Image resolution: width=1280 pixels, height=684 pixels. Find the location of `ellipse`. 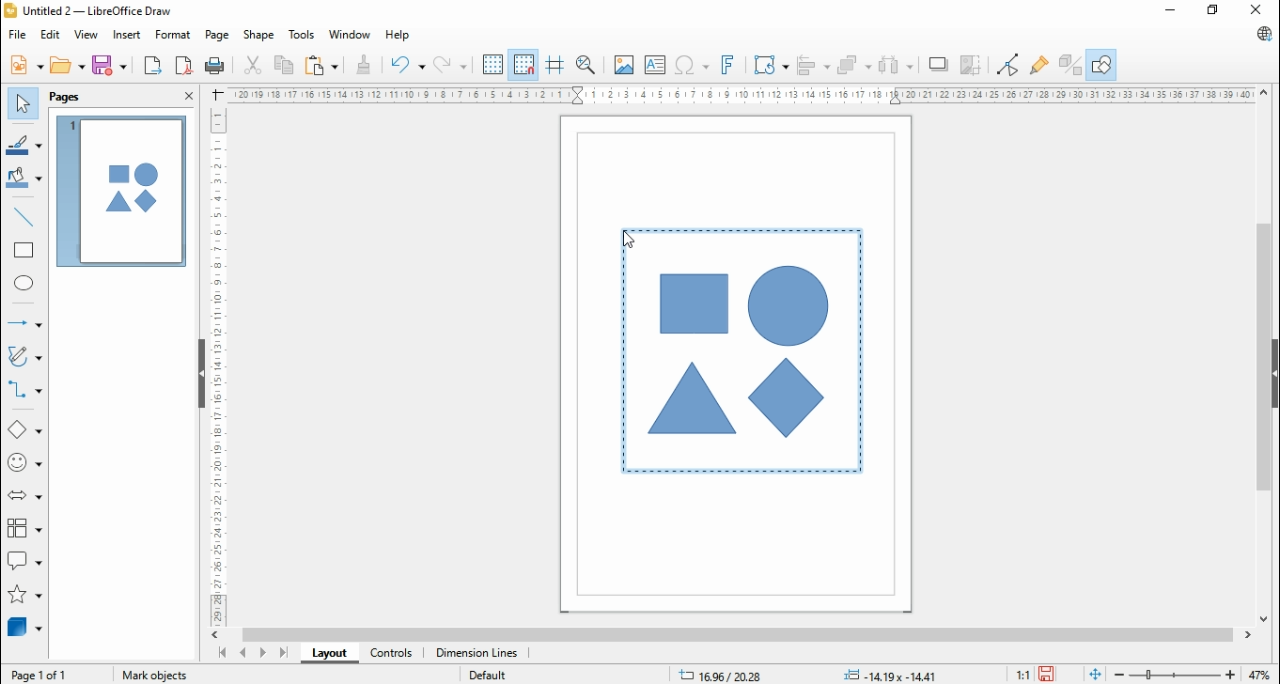

ellipse is located at coordinates (26, 285).